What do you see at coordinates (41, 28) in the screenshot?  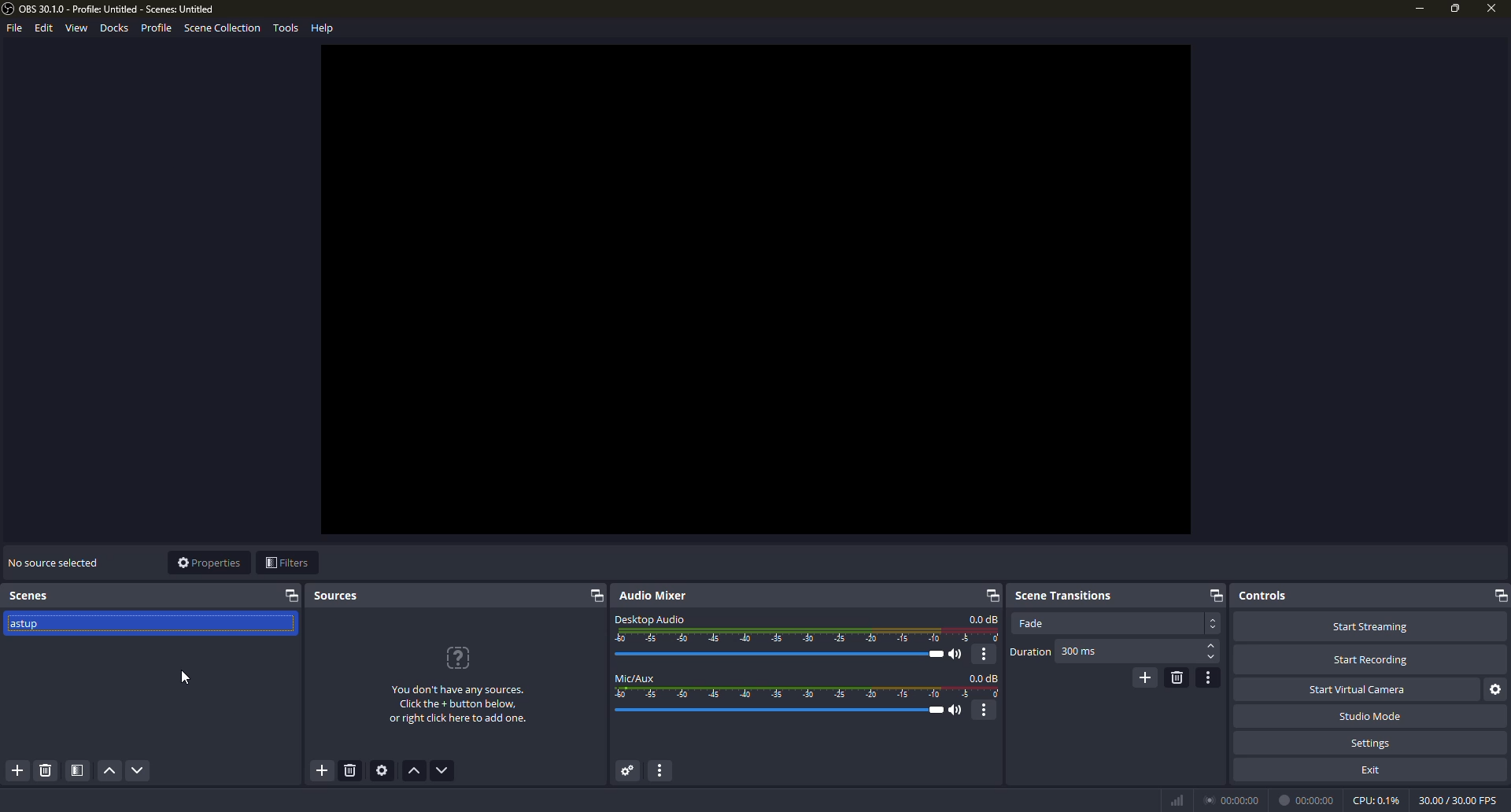 I see `edit` at bounding box center [41, 28].